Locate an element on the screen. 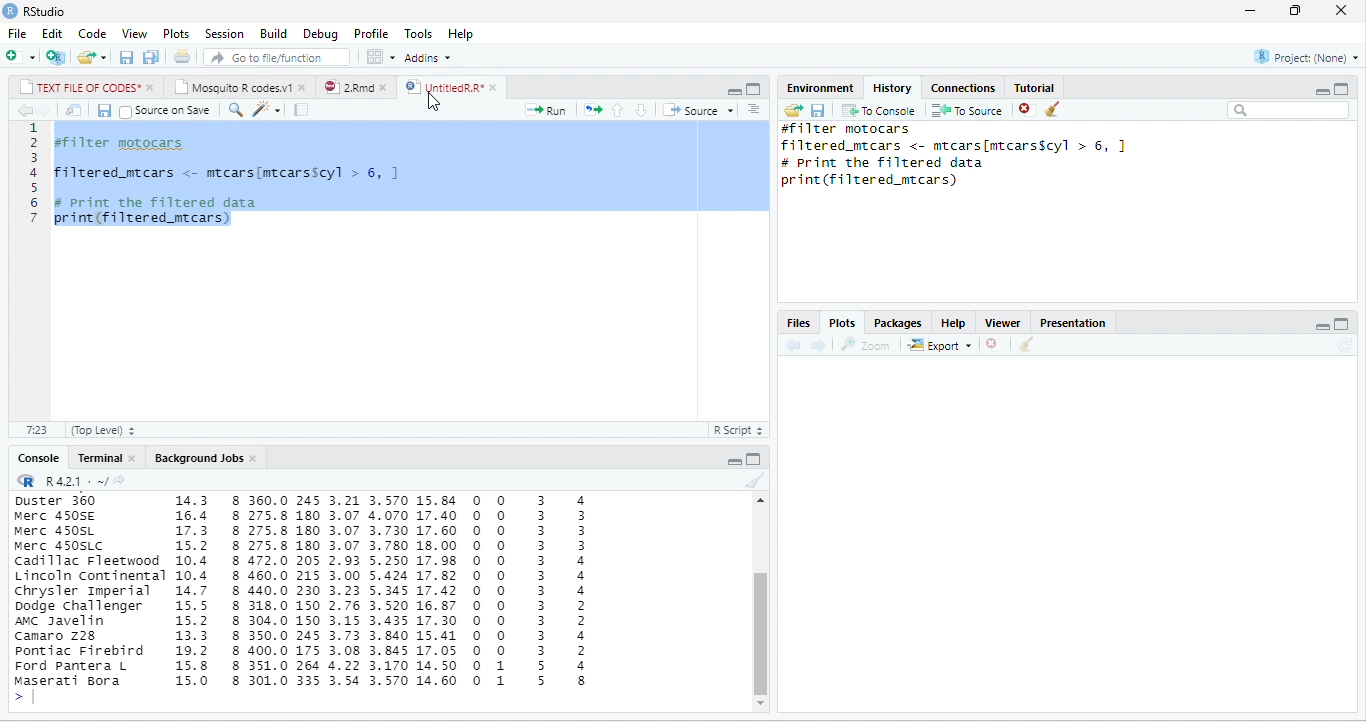 The width and height of the screenshot is (1366, 722). close is located at coordinates (496, 88).